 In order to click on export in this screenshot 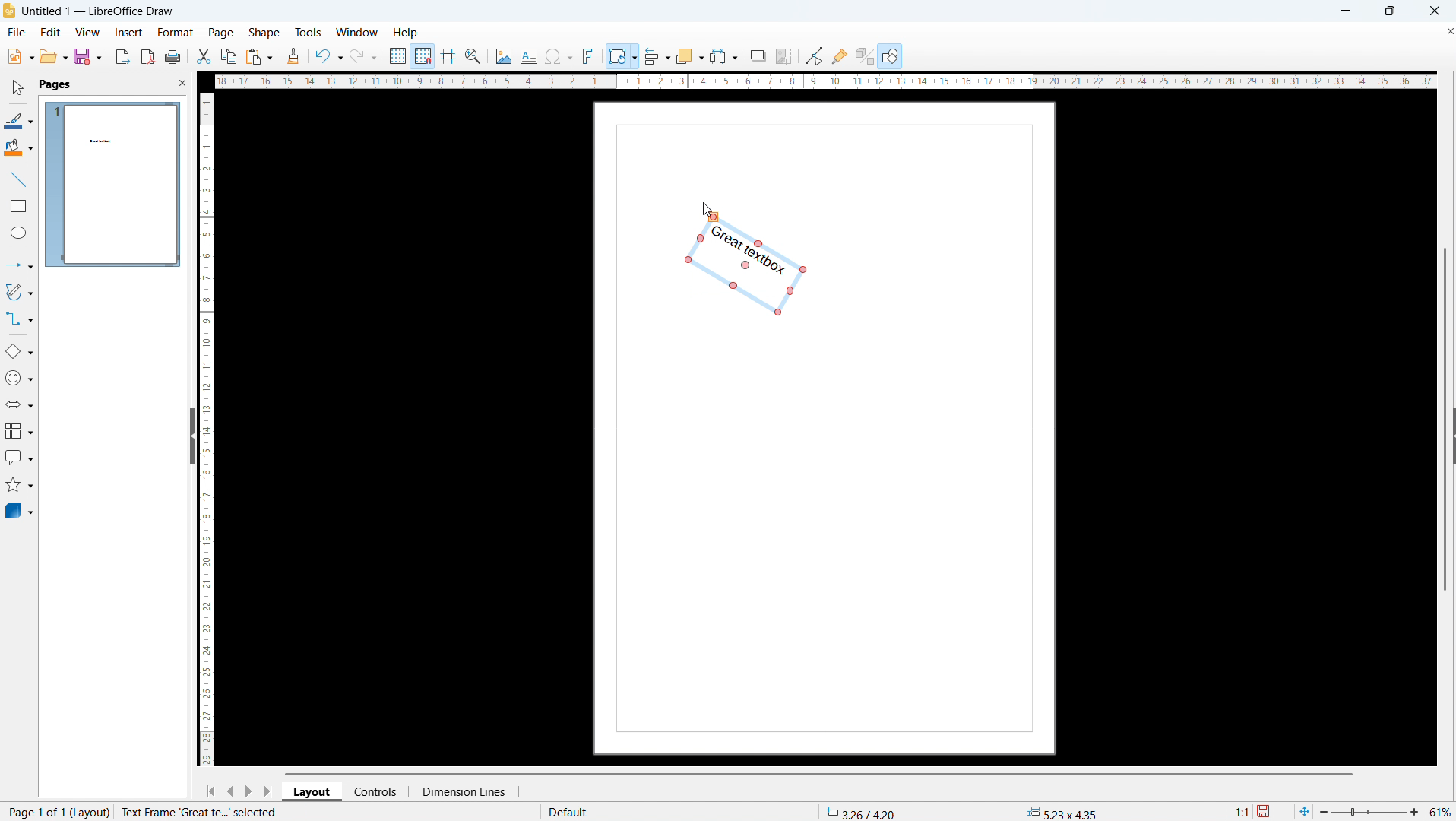, I will do `click(123, 56)`.